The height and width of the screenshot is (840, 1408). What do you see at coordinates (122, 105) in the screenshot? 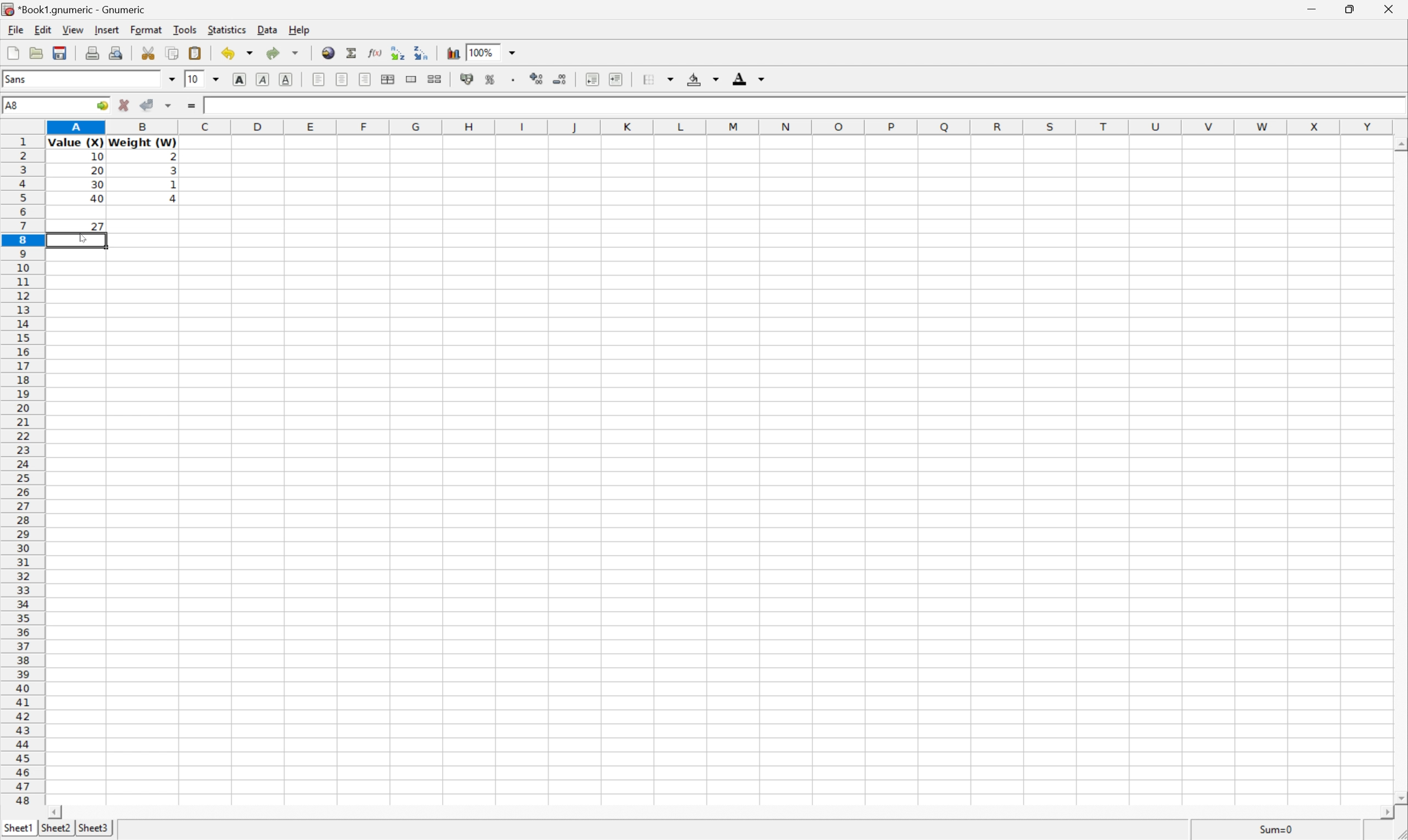
I see `Cancel changes` at bounding box center [122, 105].